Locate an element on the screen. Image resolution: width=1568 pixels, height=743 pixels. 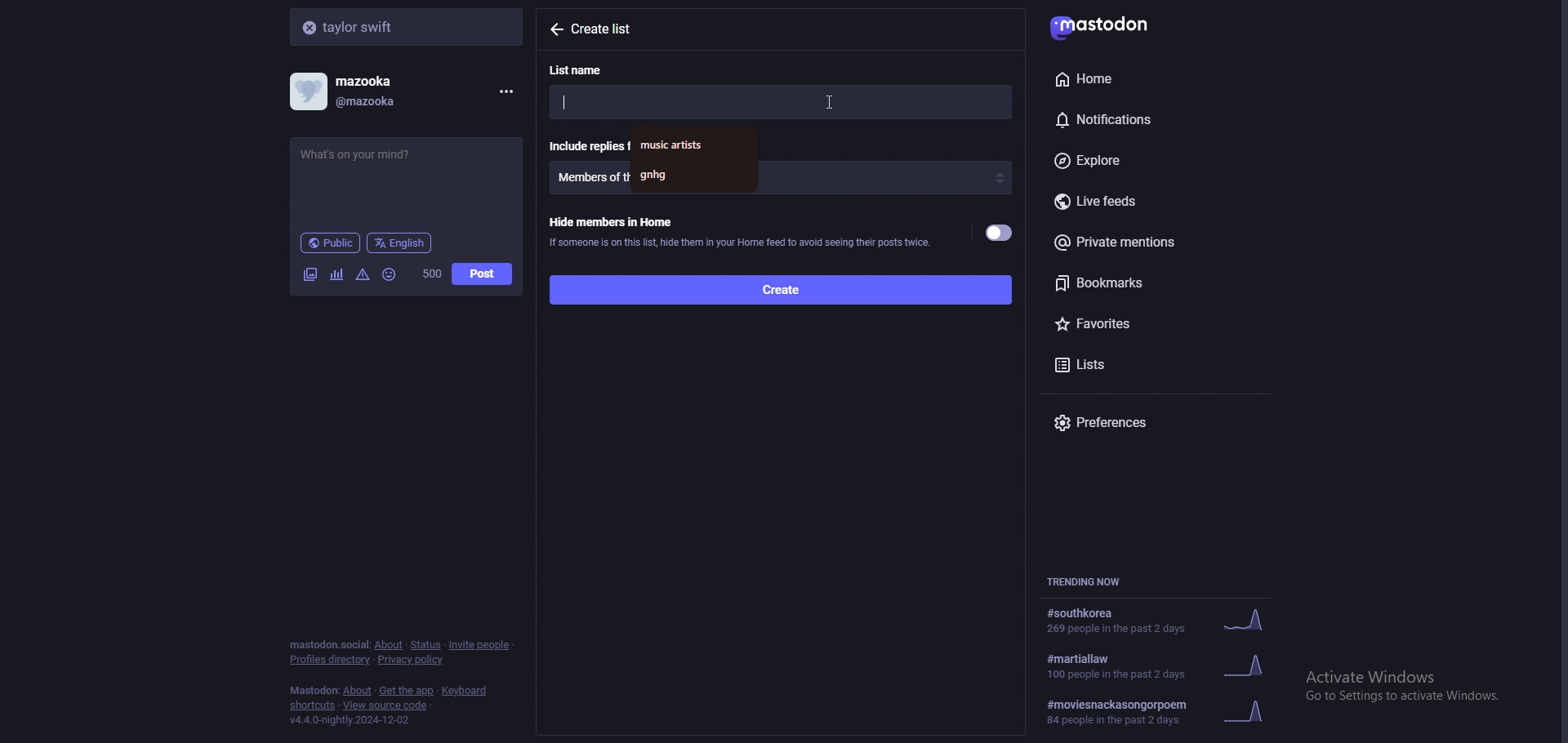
trending now is located at coordinates (1093, 581).